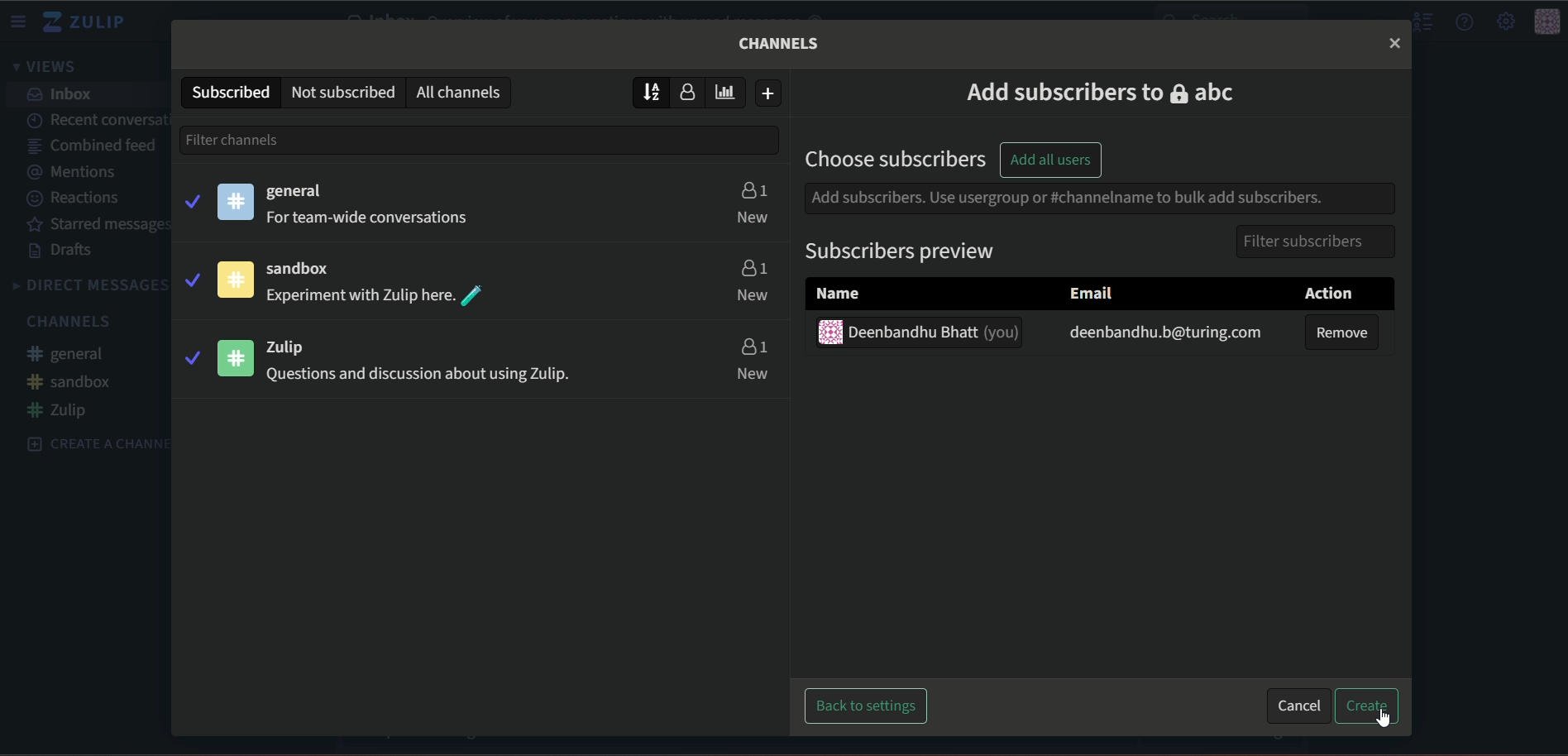 The height and width of the screenshot is (756, 1568). Describe the element at coordinates (753, 217) in the screenshot. I see `new` at that location.